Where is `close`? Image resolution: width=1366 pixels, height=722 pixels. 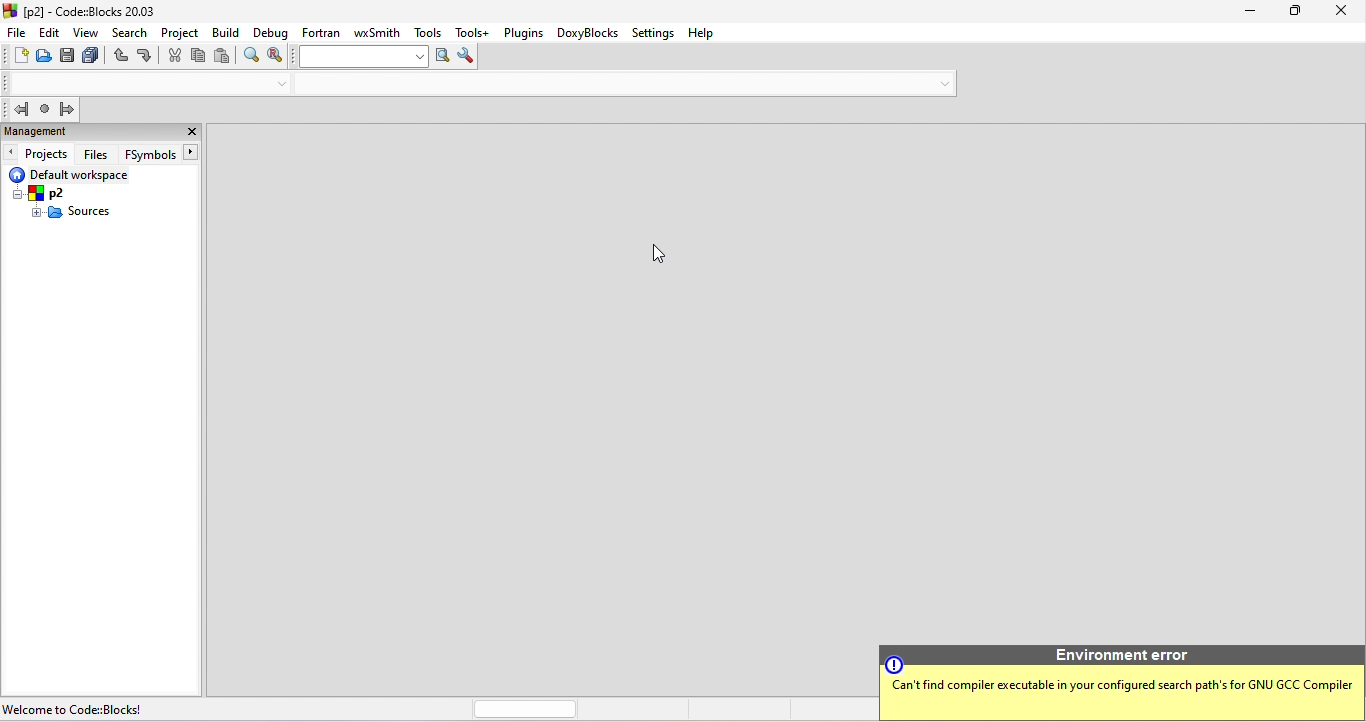 close is located at coordinates (279, 138).